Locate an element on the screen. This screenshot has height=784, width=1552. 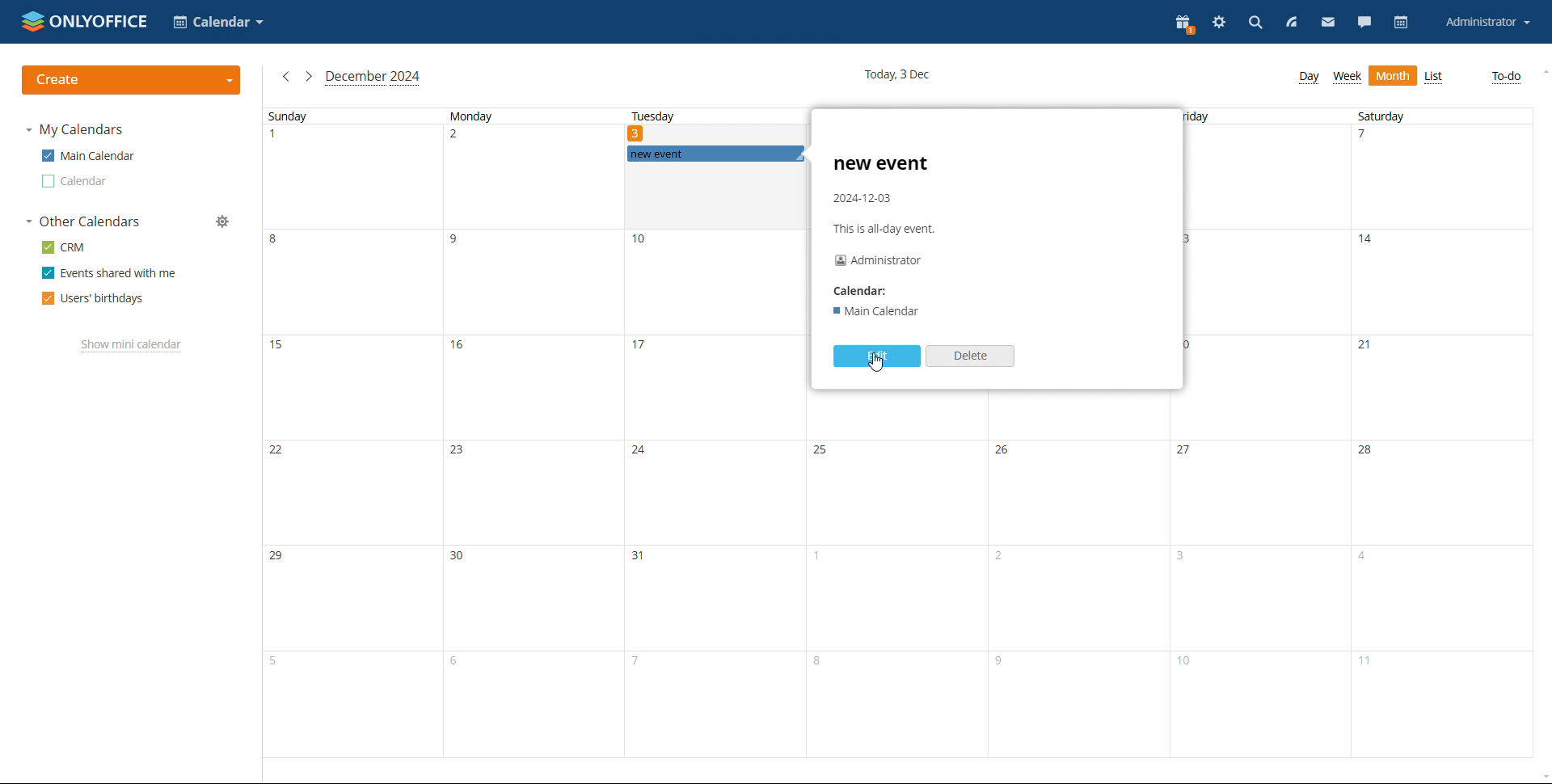
main calendar is located at coordinates (88, 155).